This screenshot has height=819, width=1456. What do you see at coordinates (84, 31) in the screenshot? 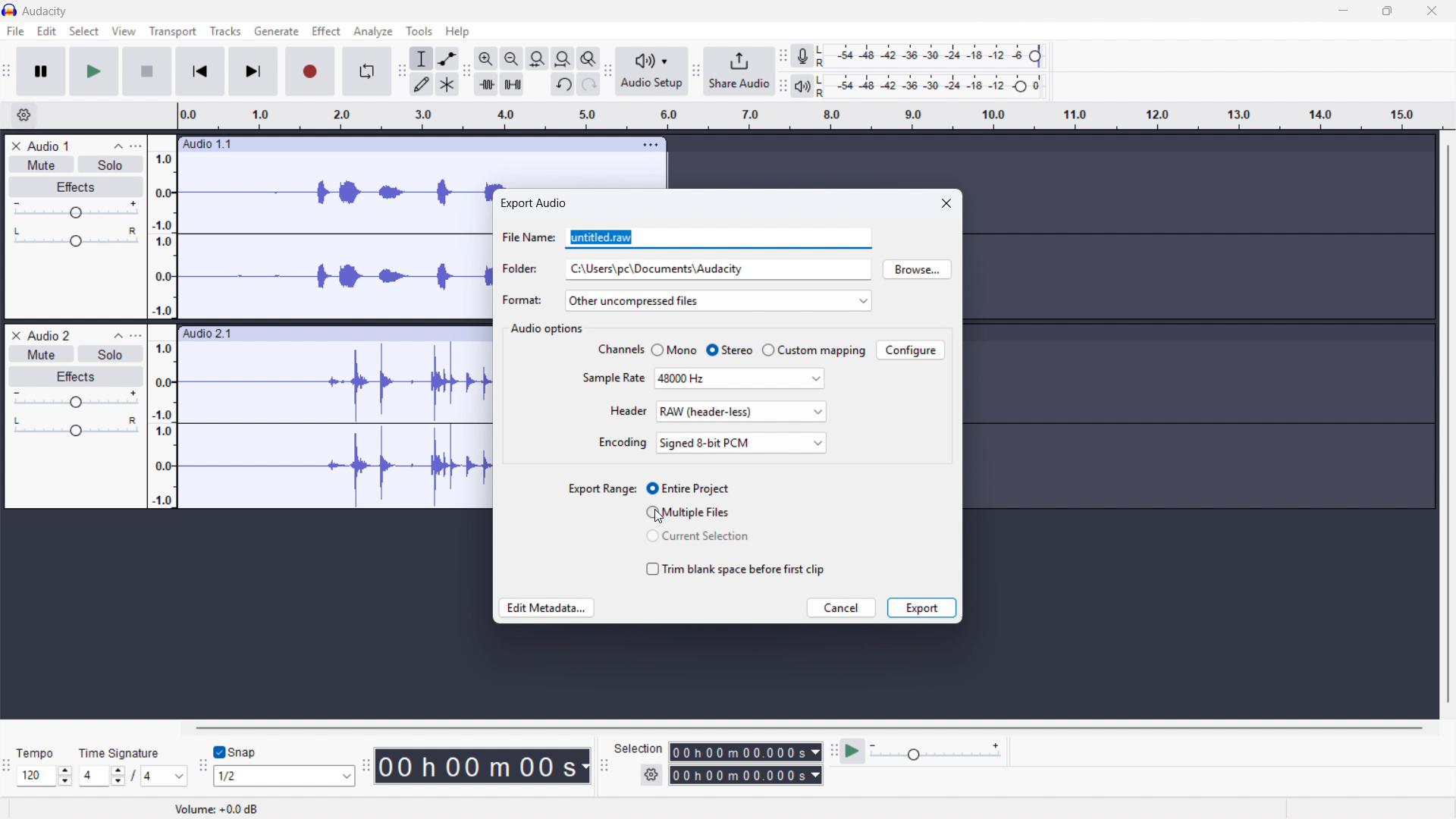
I see `select ` at bounding box center [84, 31].